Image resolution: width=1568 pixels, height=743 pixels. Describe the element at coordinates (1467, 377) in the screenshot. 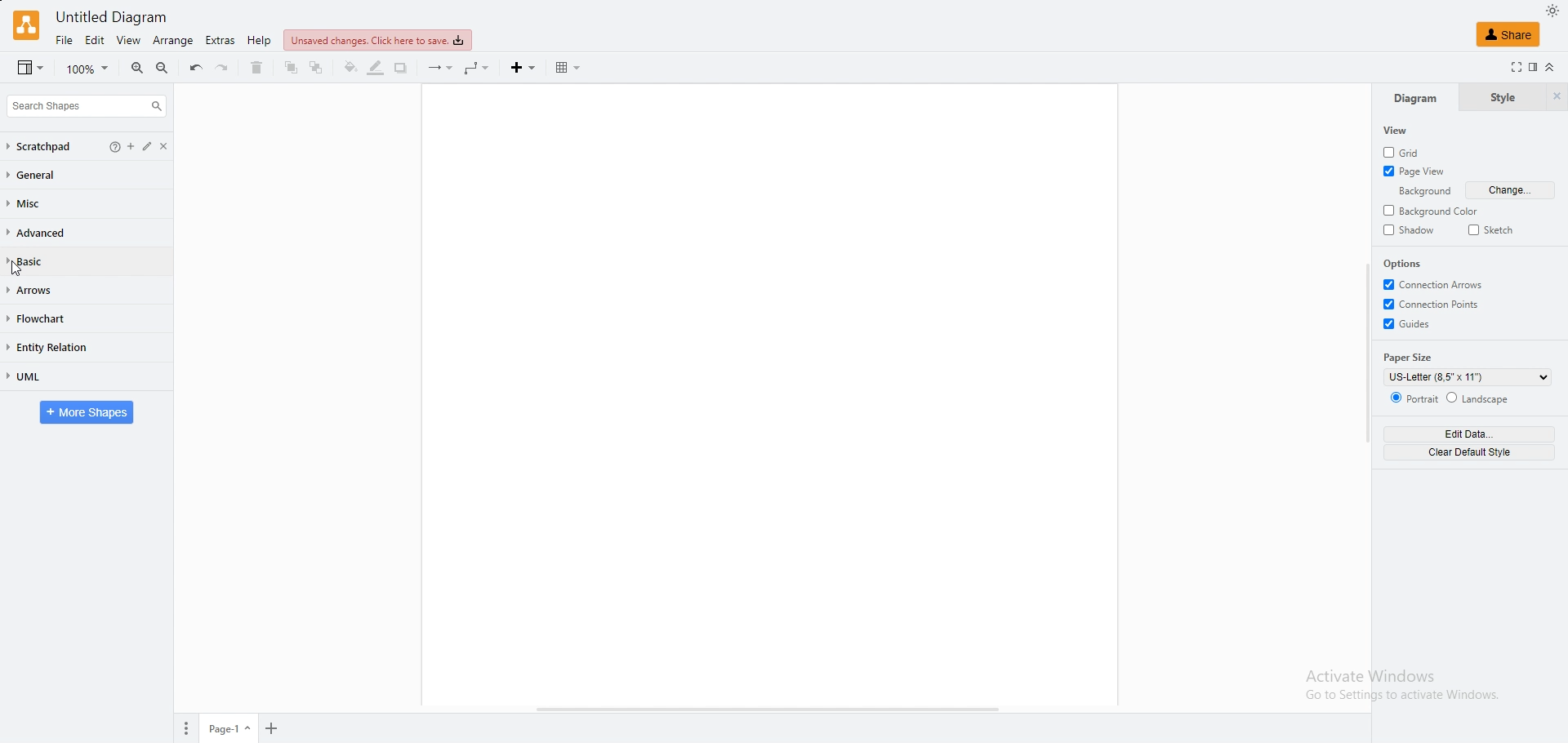

I see `paper size selection` at that location.